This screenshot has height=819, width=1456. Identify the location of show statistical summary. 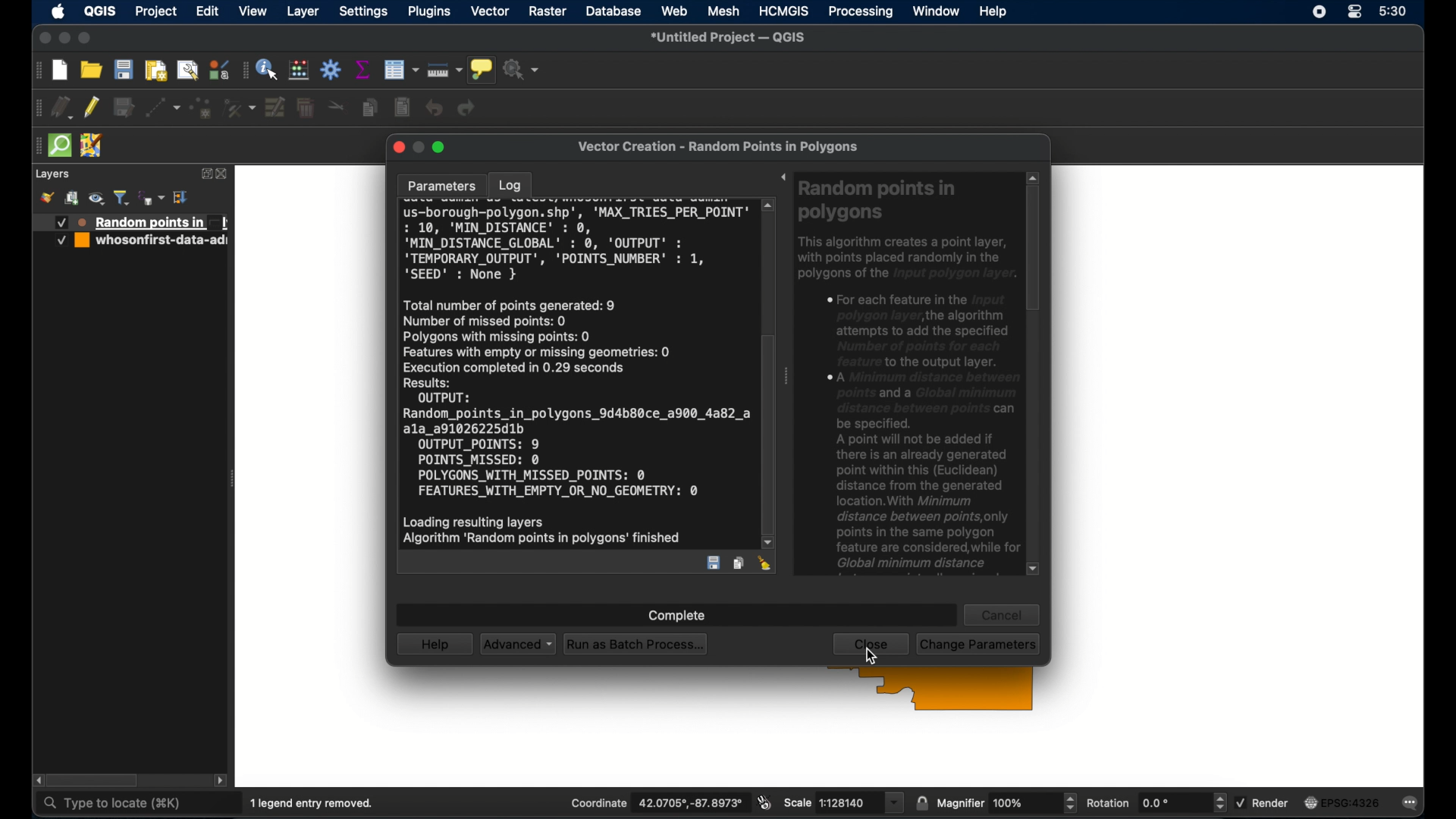
(362, 69).